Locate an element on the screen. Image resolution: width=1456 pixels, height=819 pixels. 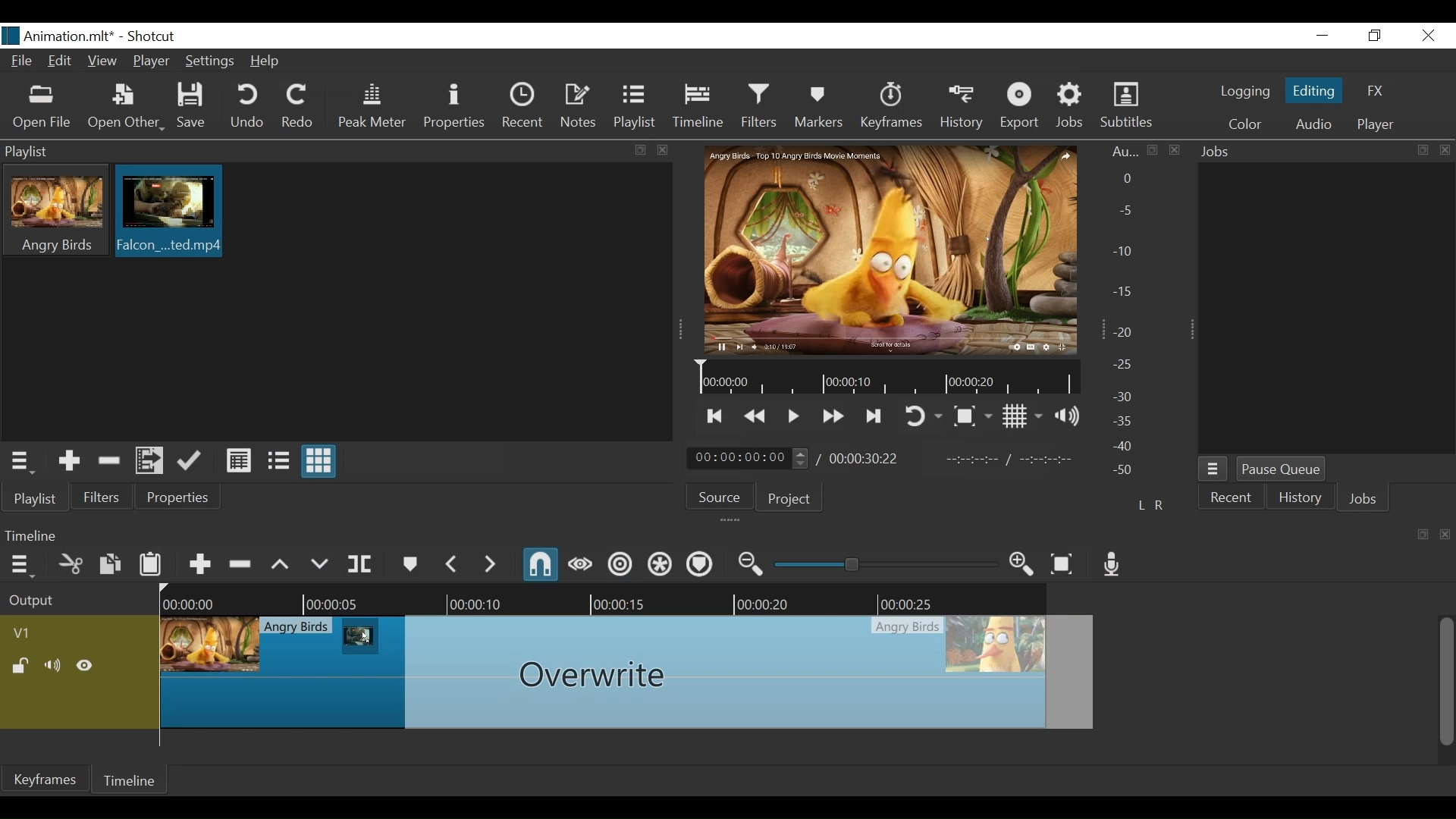
Clip is located at coordinates (170, 212).